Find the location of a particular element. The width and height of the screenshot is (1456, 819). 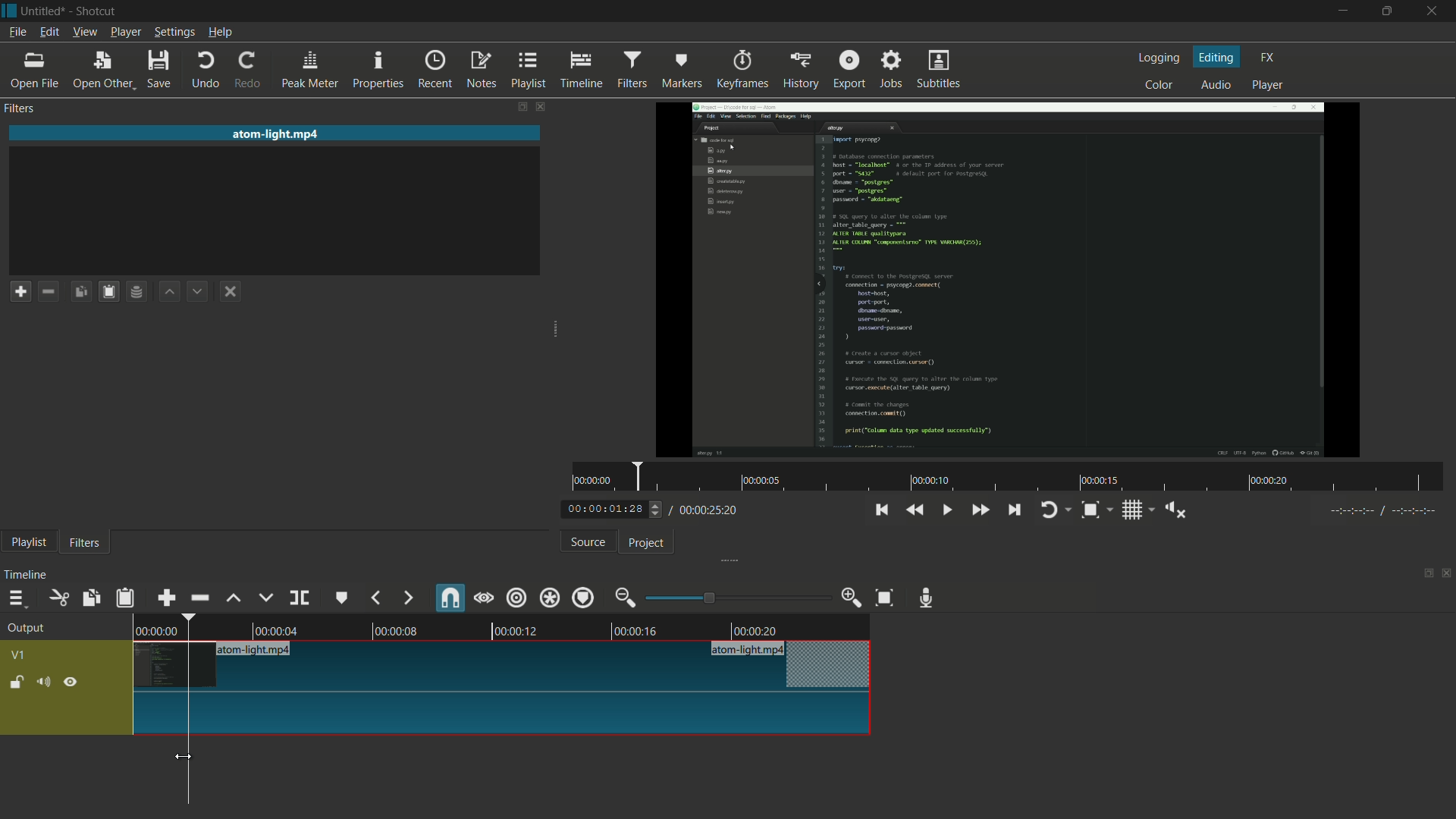

cursor is located at coordinates (187, 756).